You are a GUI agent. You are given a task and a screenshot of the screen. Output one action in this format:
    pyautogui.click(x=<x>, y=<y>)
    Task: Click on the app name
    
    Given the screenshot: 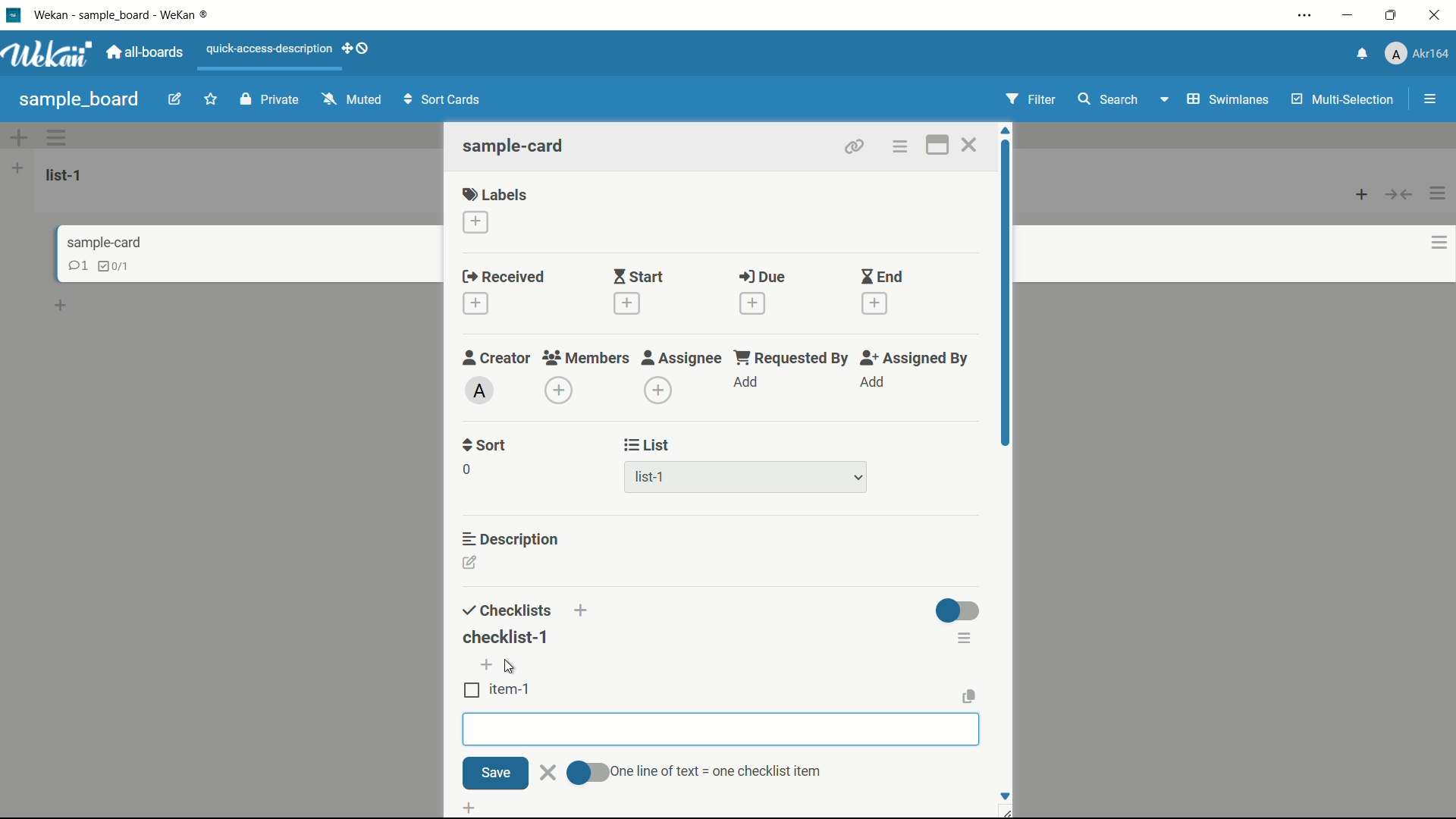 What is the action you would take?
    pyautogui.click(x=124, y=16)
    